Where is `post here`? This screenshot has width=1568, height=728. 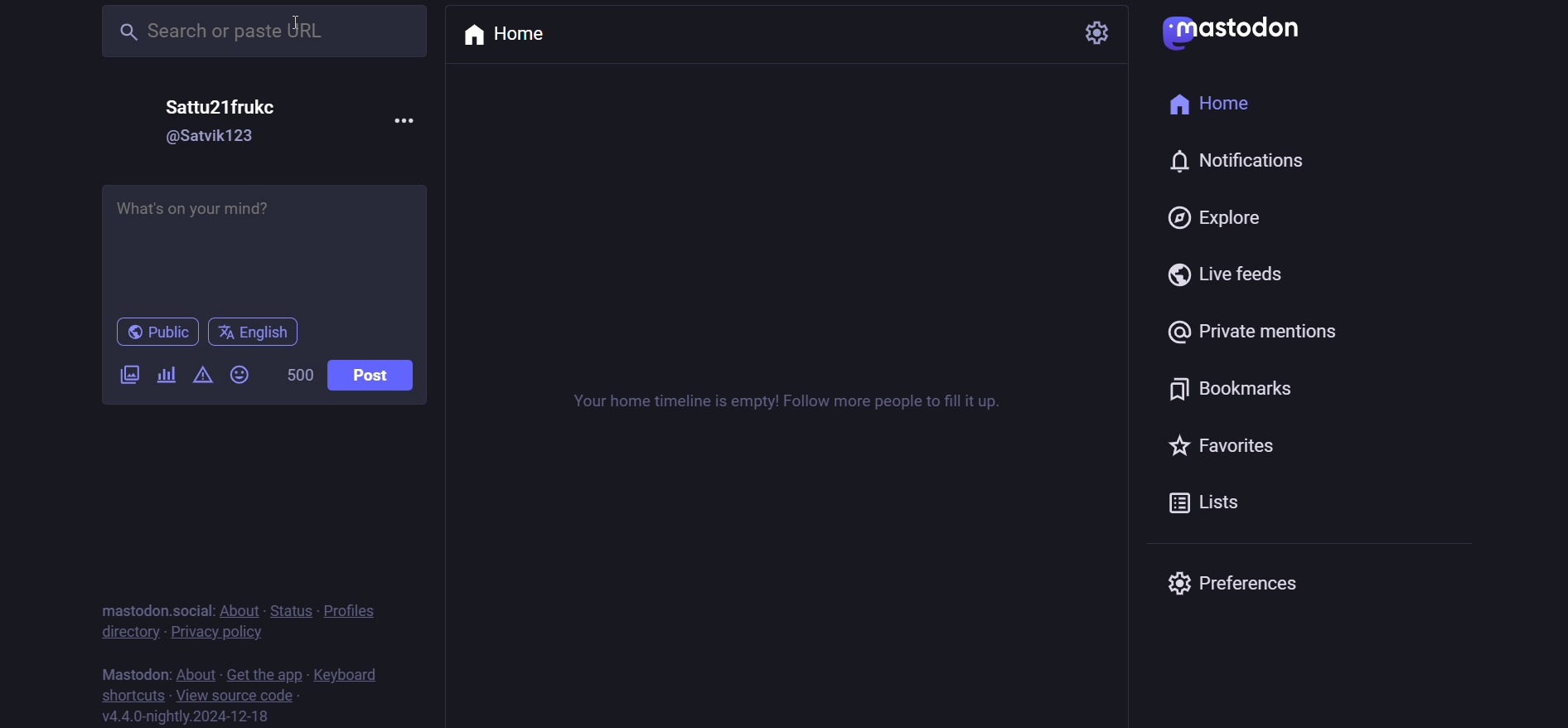 post here is located at coordinates (260, 243).